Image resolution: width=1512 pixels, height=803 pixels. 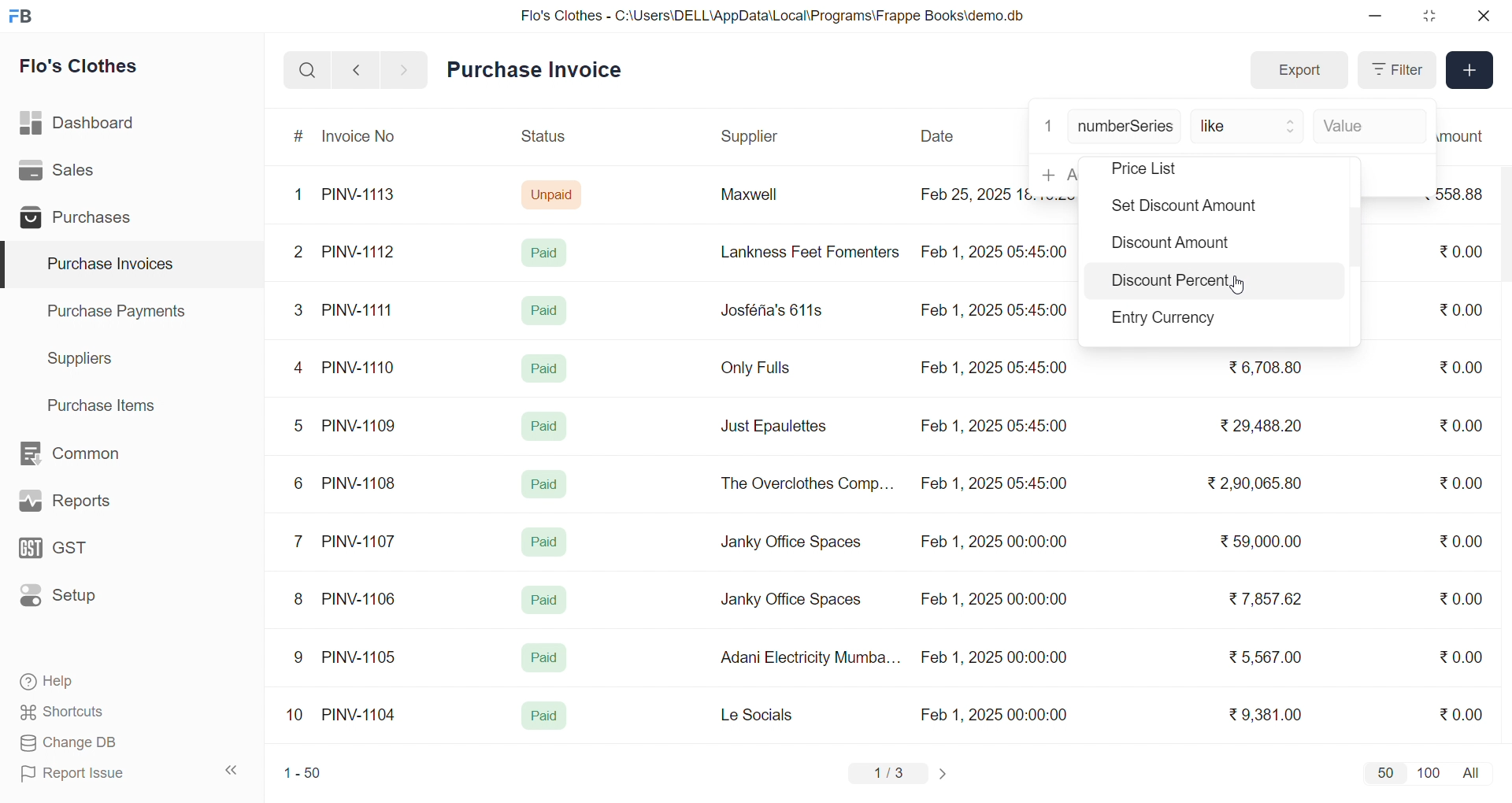 What do you see at coordinates (1469, 135) in the screenshot?
I see `Outstanding Amount` at bounding box center [1469, 135].